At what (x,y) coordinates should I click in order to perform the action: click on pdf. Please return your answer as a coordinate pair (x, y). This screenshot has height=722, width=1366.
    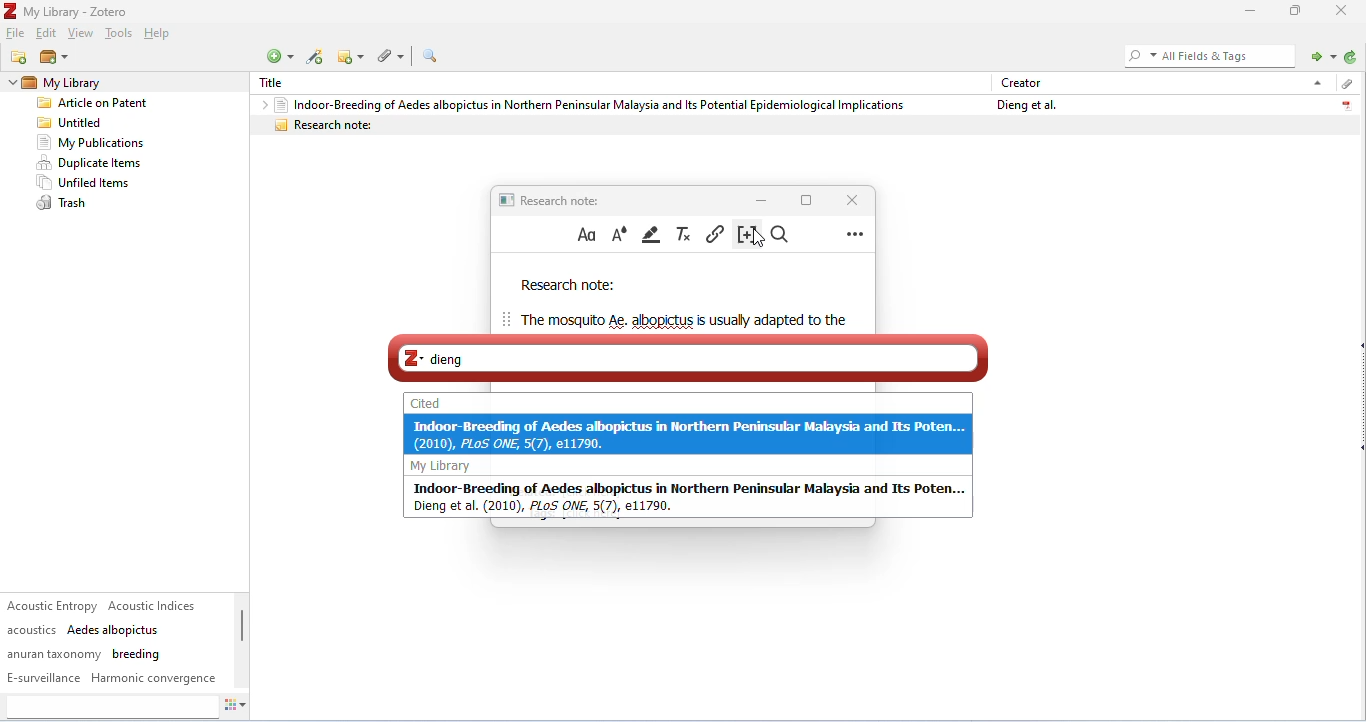
    Looking at the image, I should click on (1346, 103).